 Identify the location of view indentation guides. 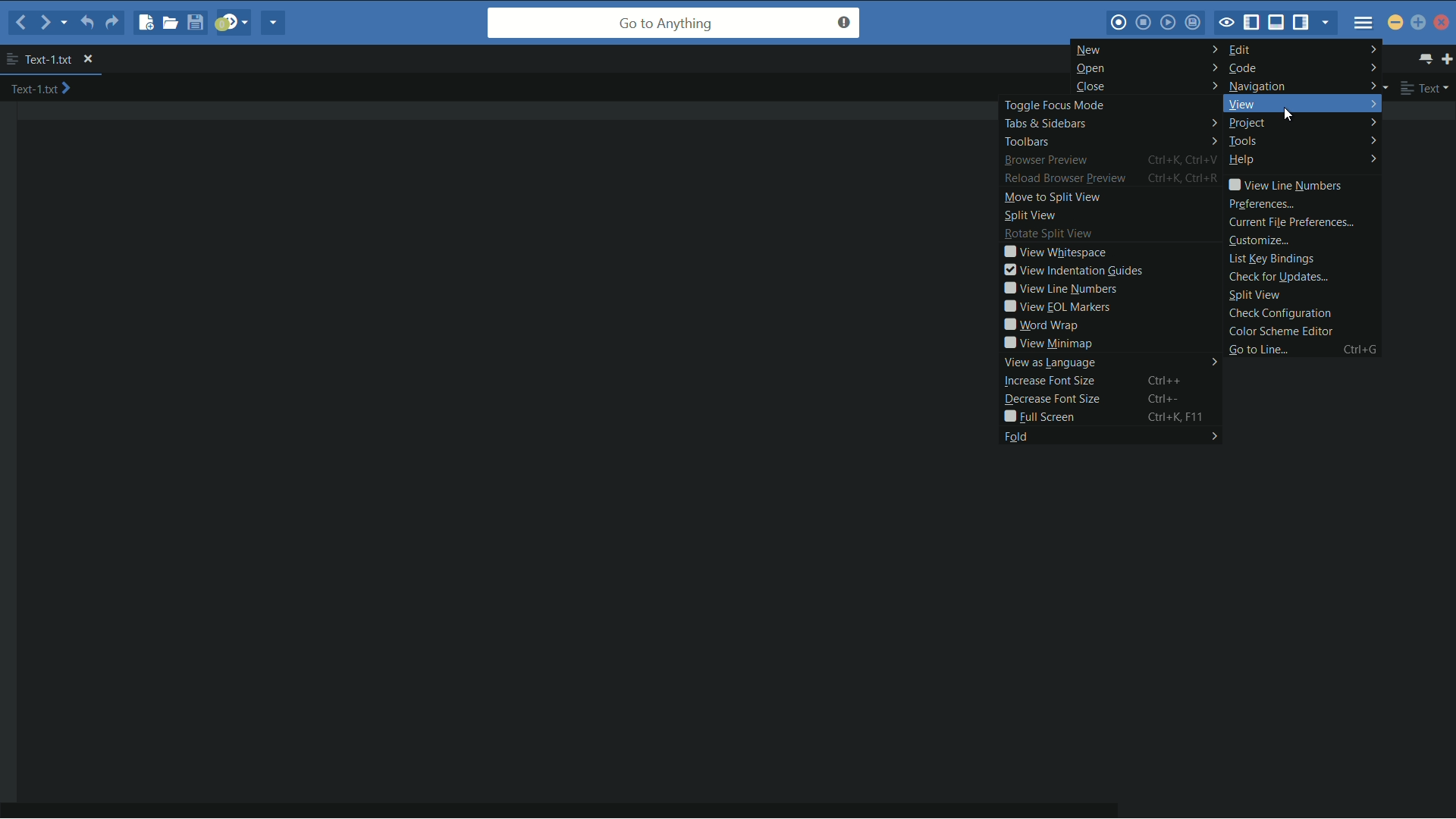
(1071, 271).